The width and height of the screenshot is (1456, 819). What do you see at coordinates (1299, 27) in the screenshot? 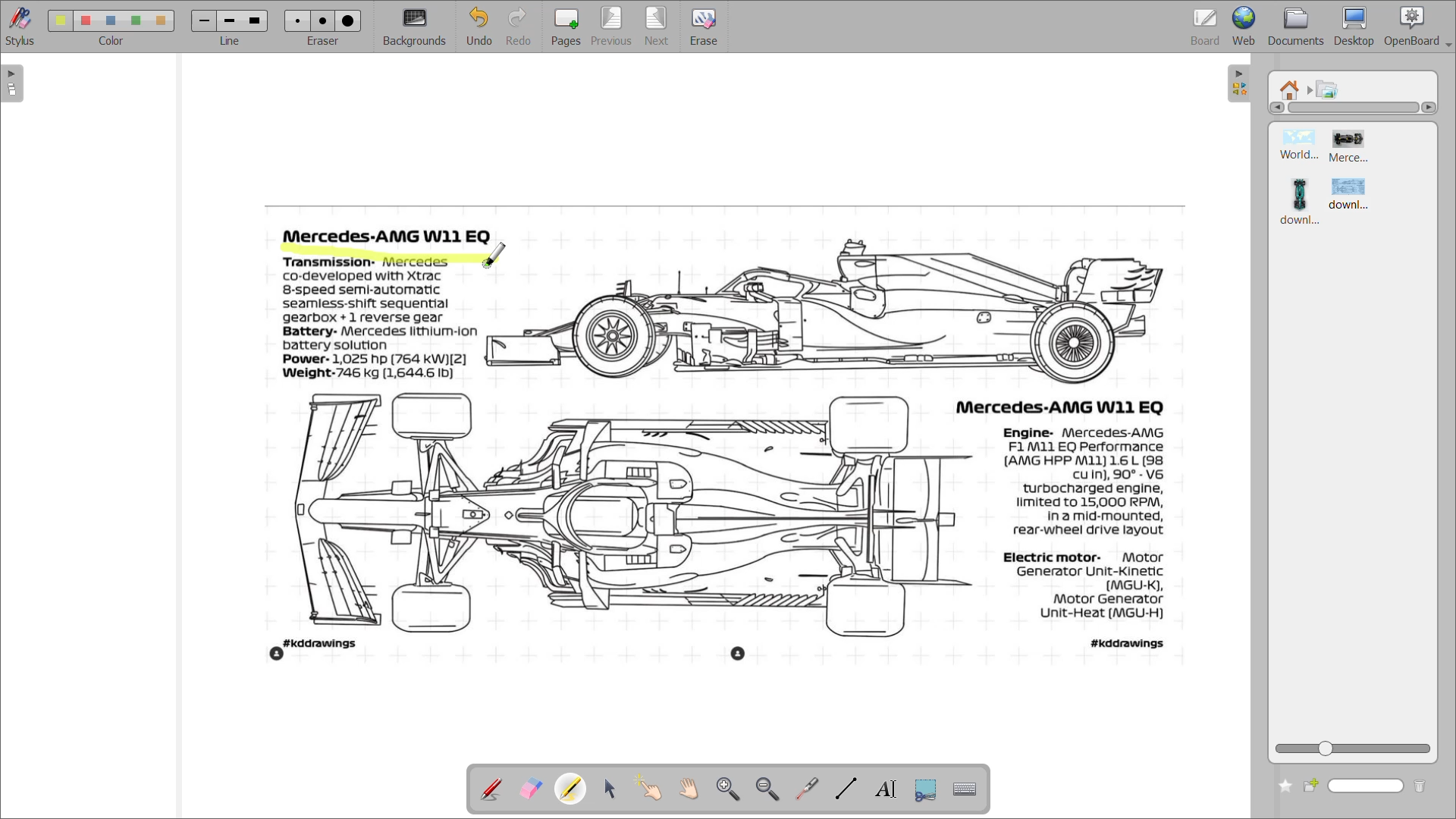
I see `documents` at bounding box center [1299, 27].